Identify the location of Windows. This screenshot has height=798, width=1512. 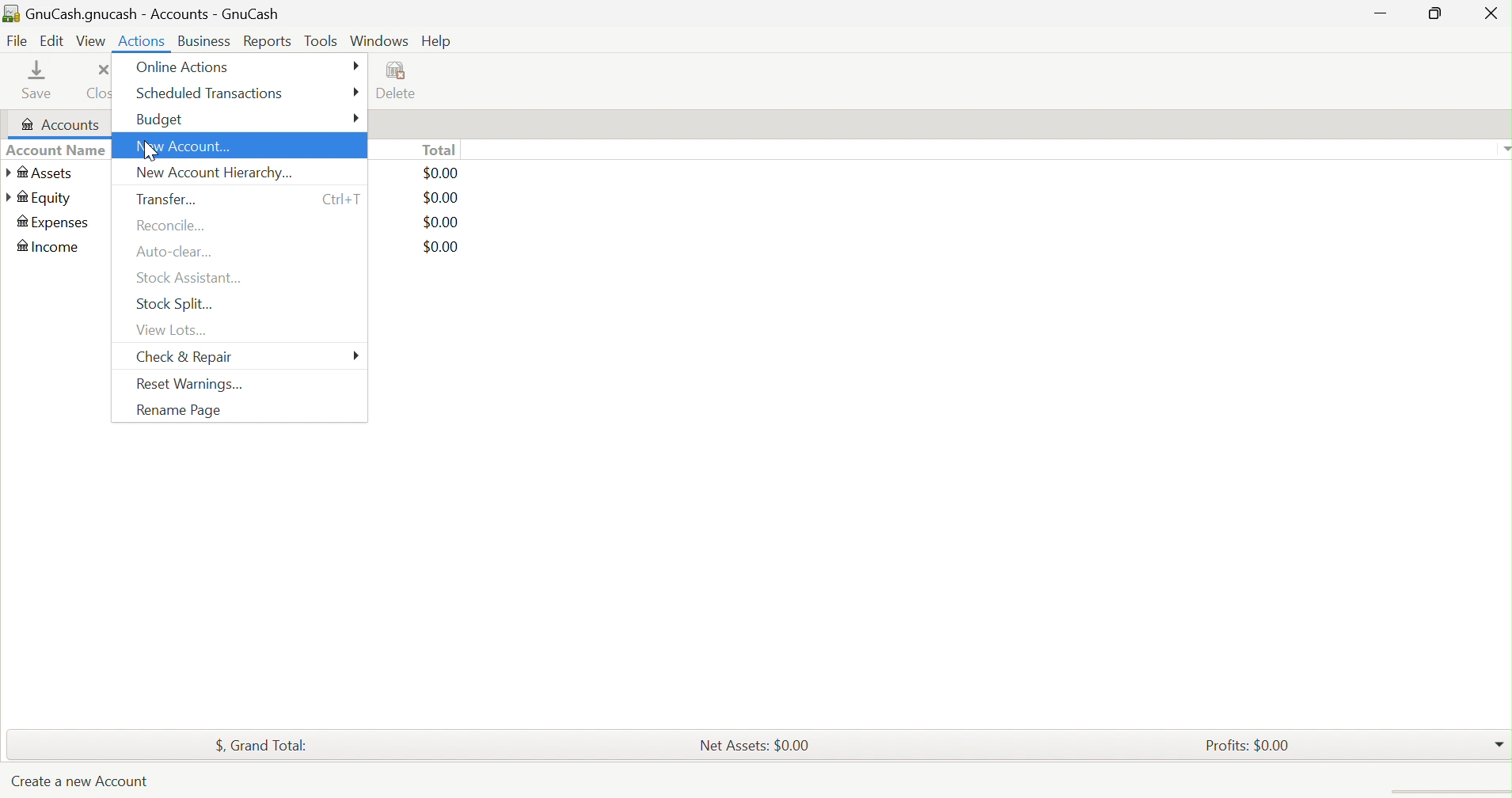
(378, 40).